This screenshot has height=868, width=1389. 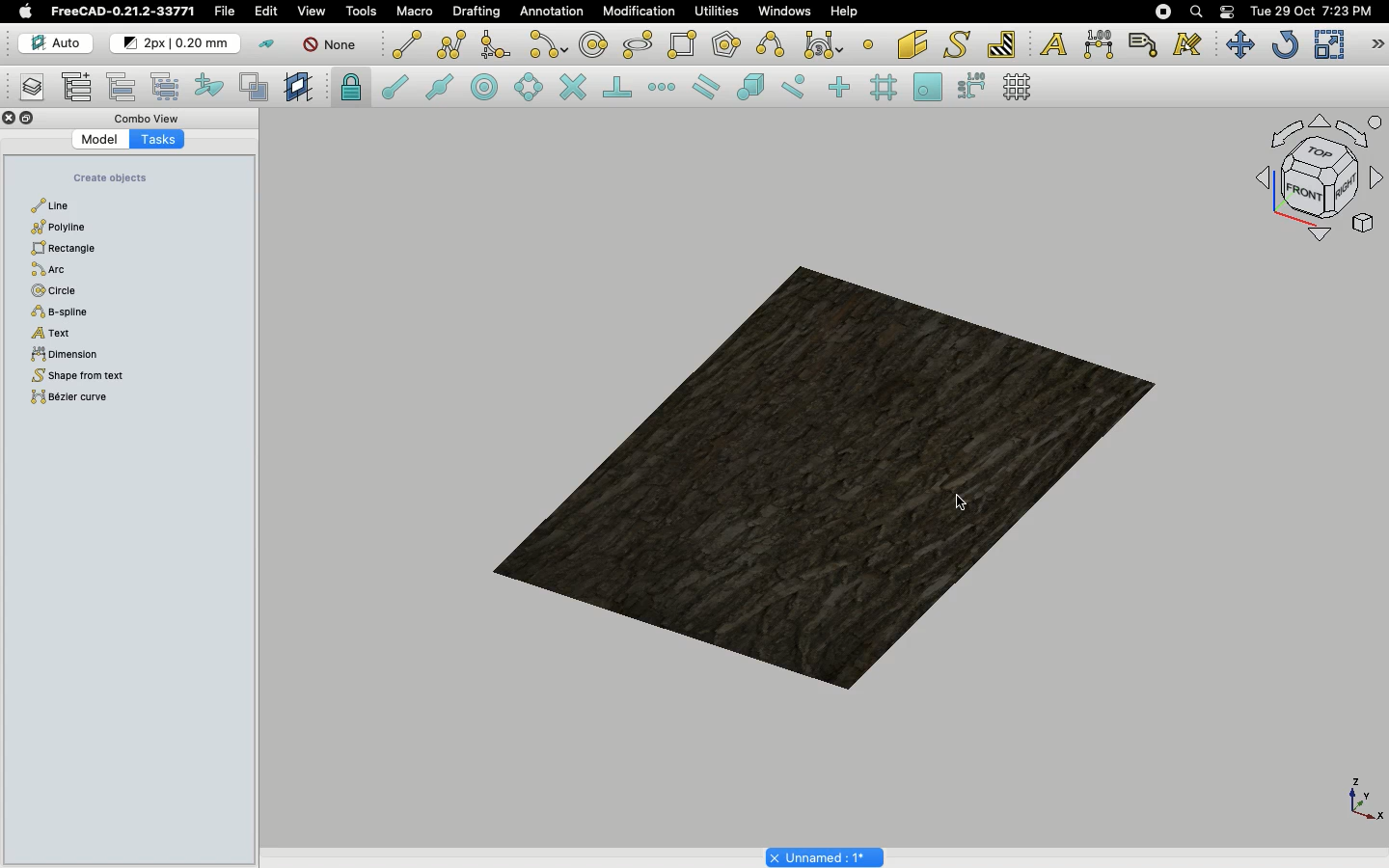 I want to click on Notification, so click(x=1228, y=11).